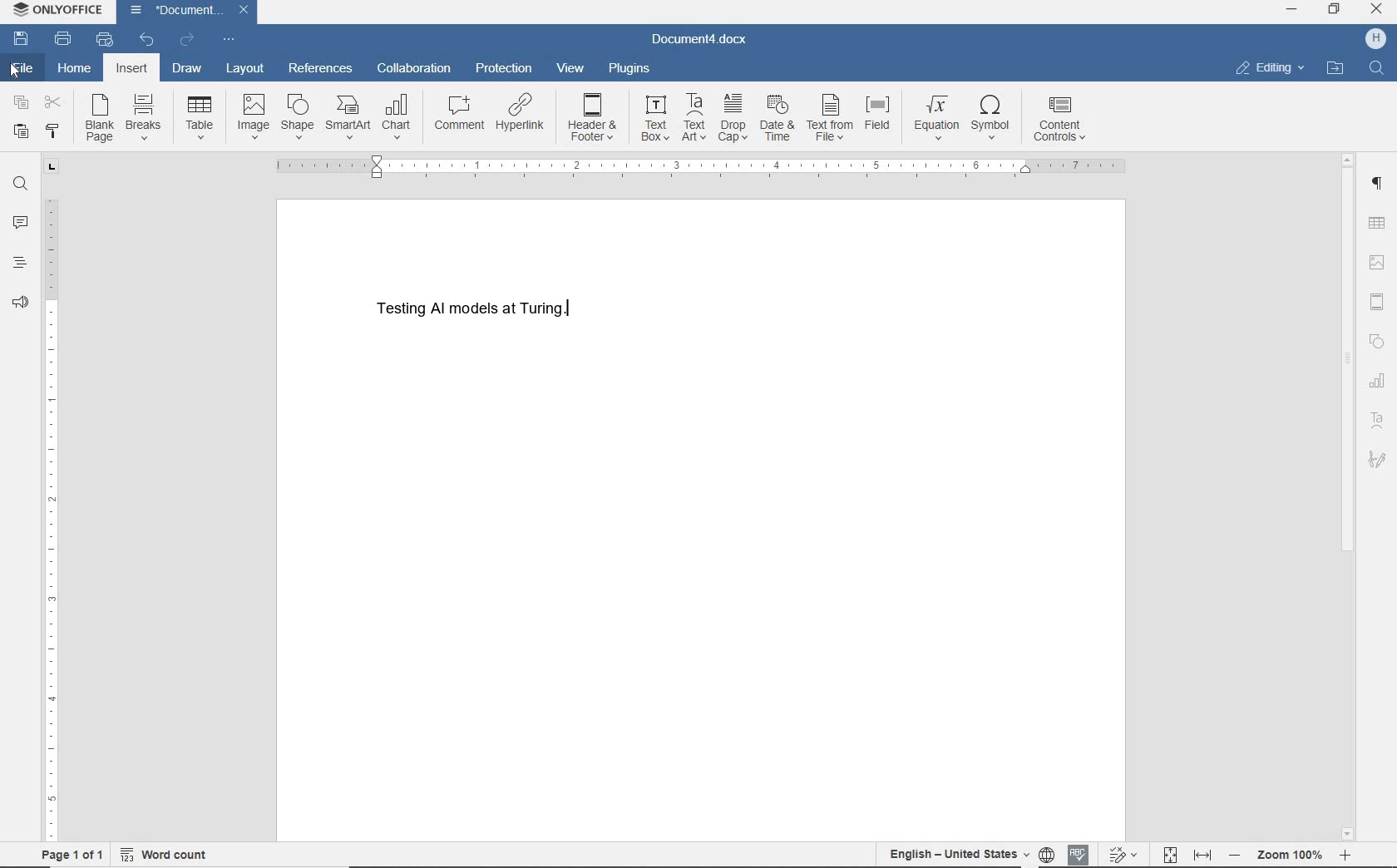 The height and width of the screenshot is (868, 1397). Describe the element at coordinates (585, 311) in the screenshot. I see `Text cursor` at that location.